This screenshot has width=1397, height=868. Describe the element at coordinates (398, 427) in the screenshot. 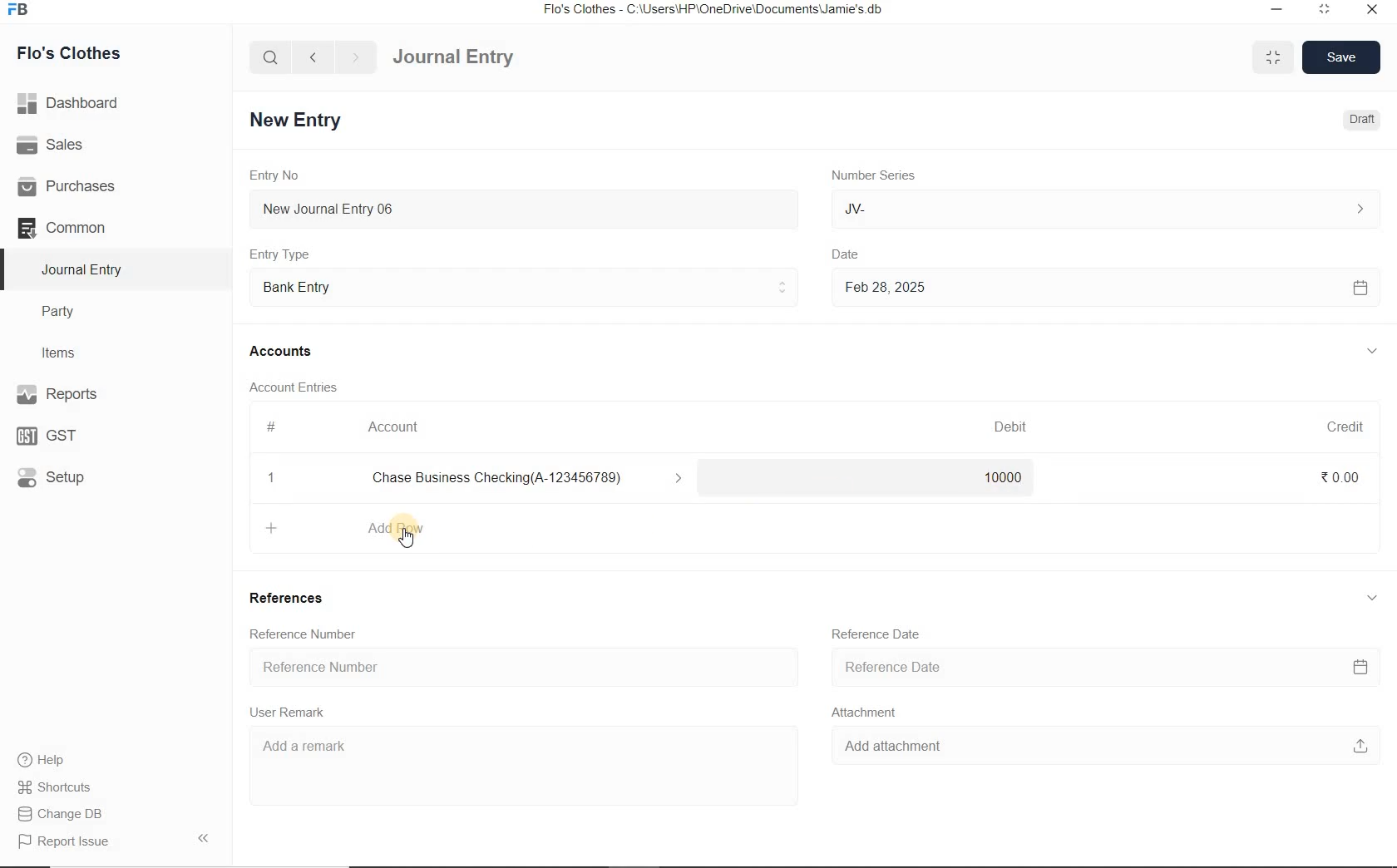

I see `Account` at that location.